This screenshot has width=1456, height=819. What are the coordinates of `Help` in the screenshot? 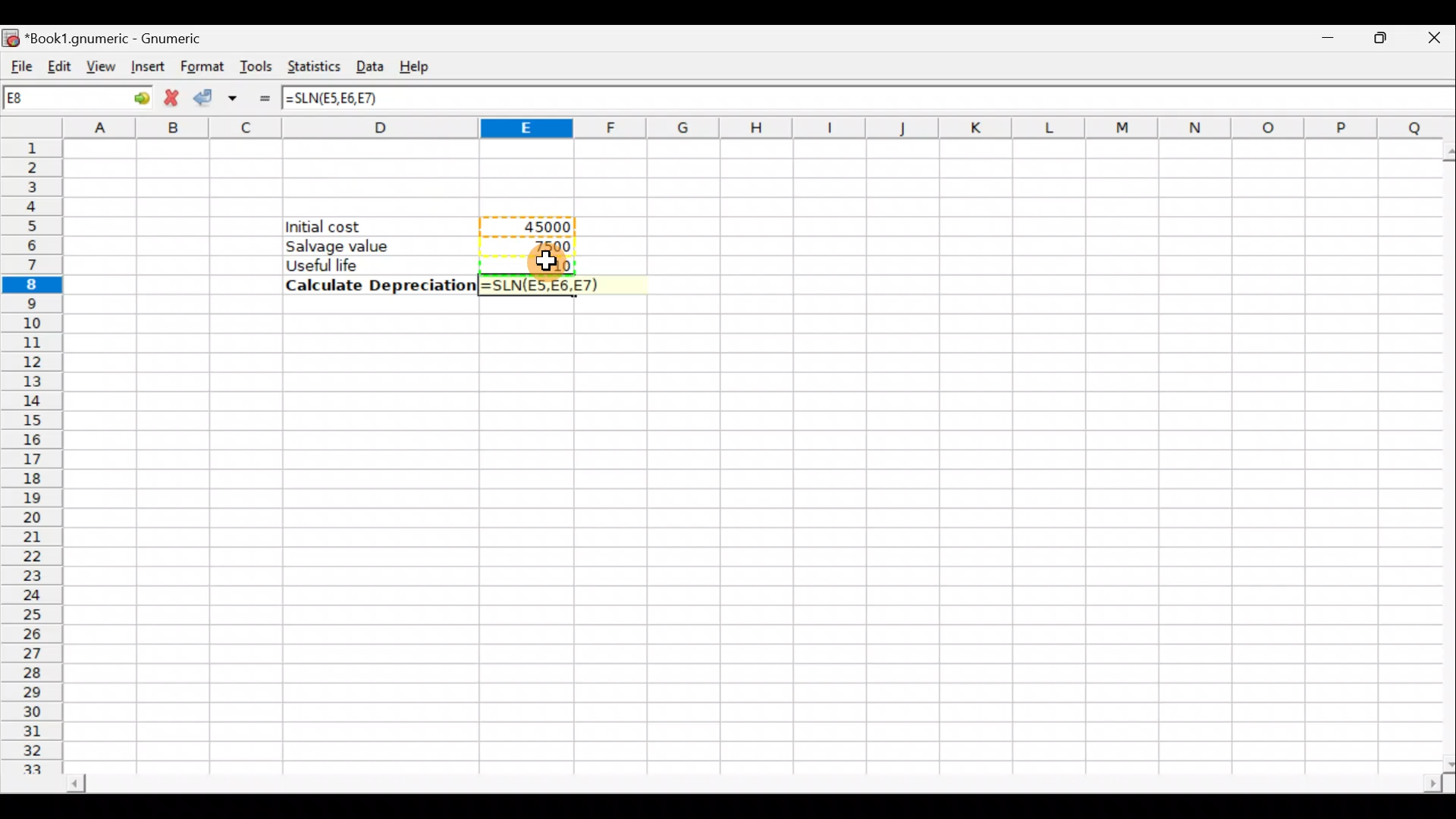 It's located at (423, 61).